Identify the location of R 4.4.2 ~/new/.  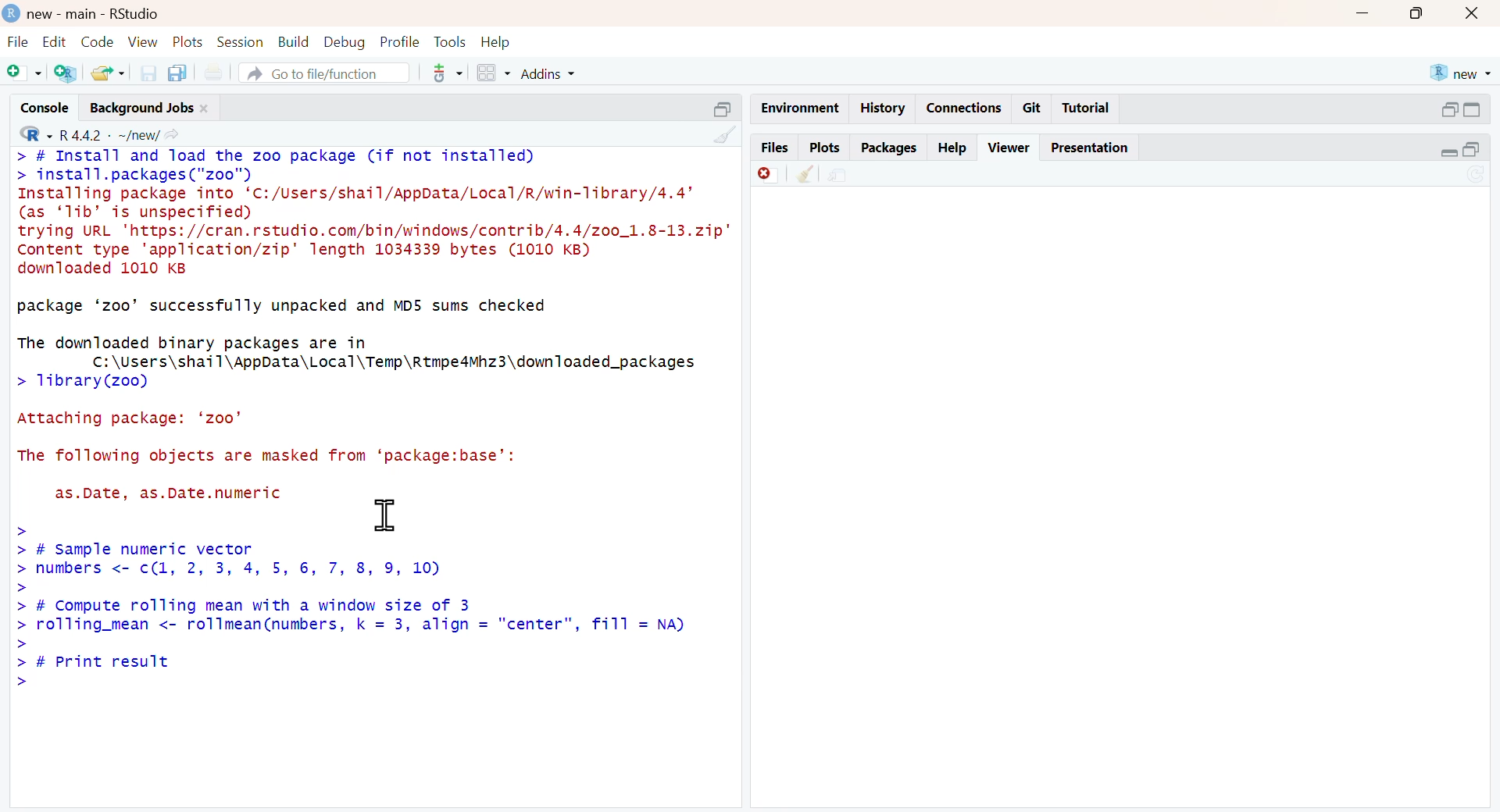
(111, 134).